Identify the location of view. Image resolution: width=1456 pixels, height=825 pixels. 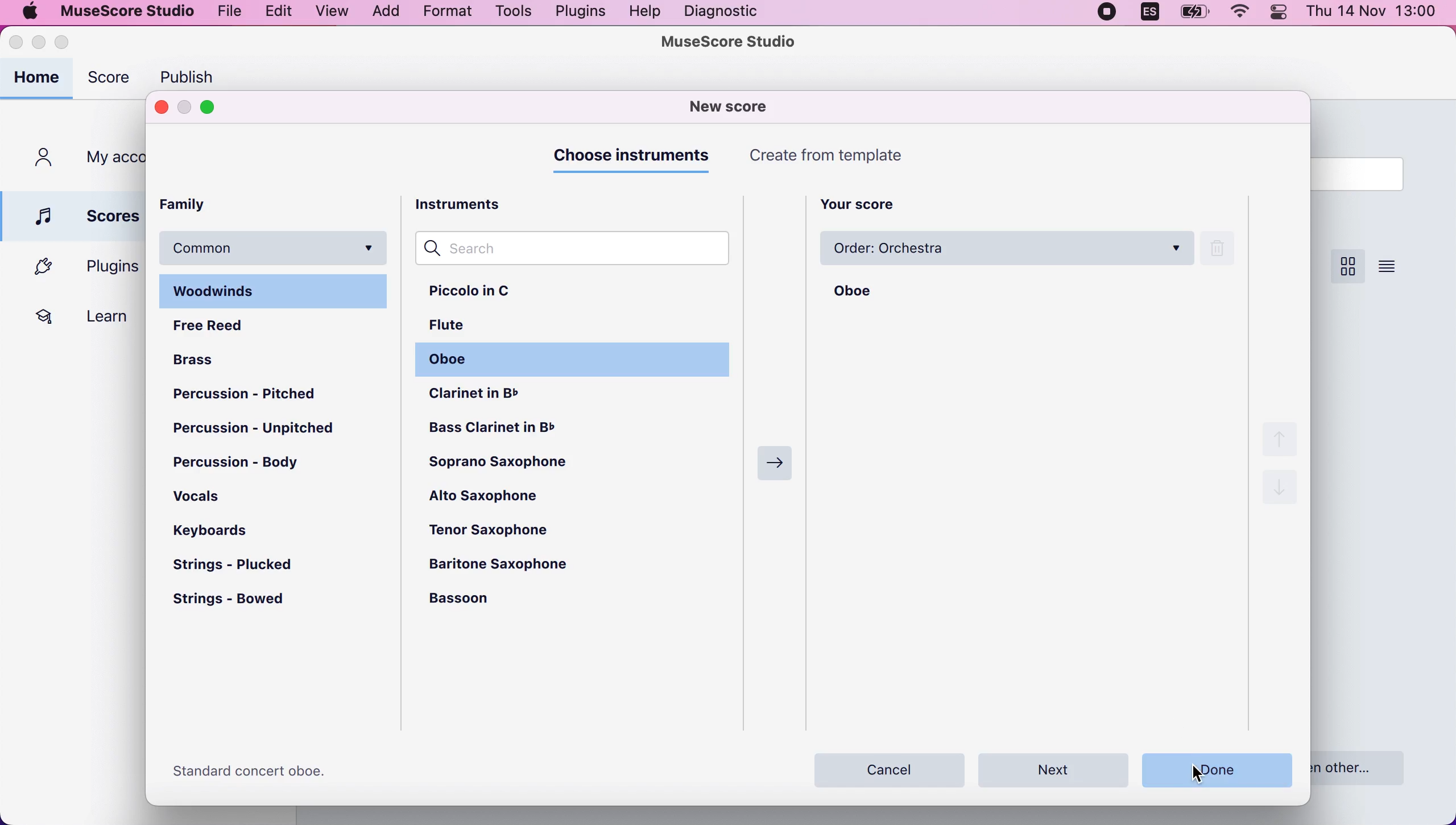
(331, 12).